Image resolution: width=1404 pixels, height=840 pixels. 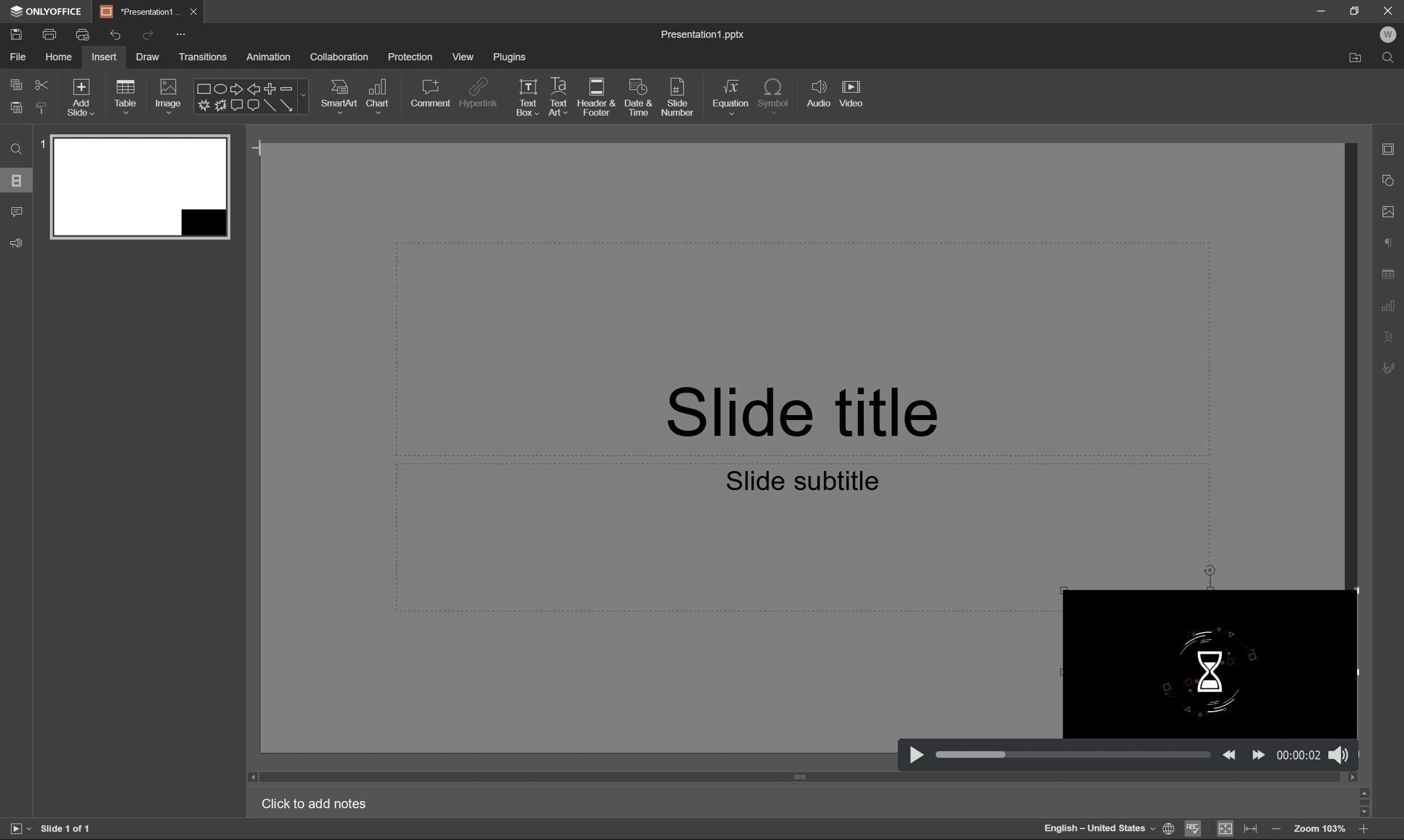 I want to click on Feedback & support, so click(x=19, y=242).